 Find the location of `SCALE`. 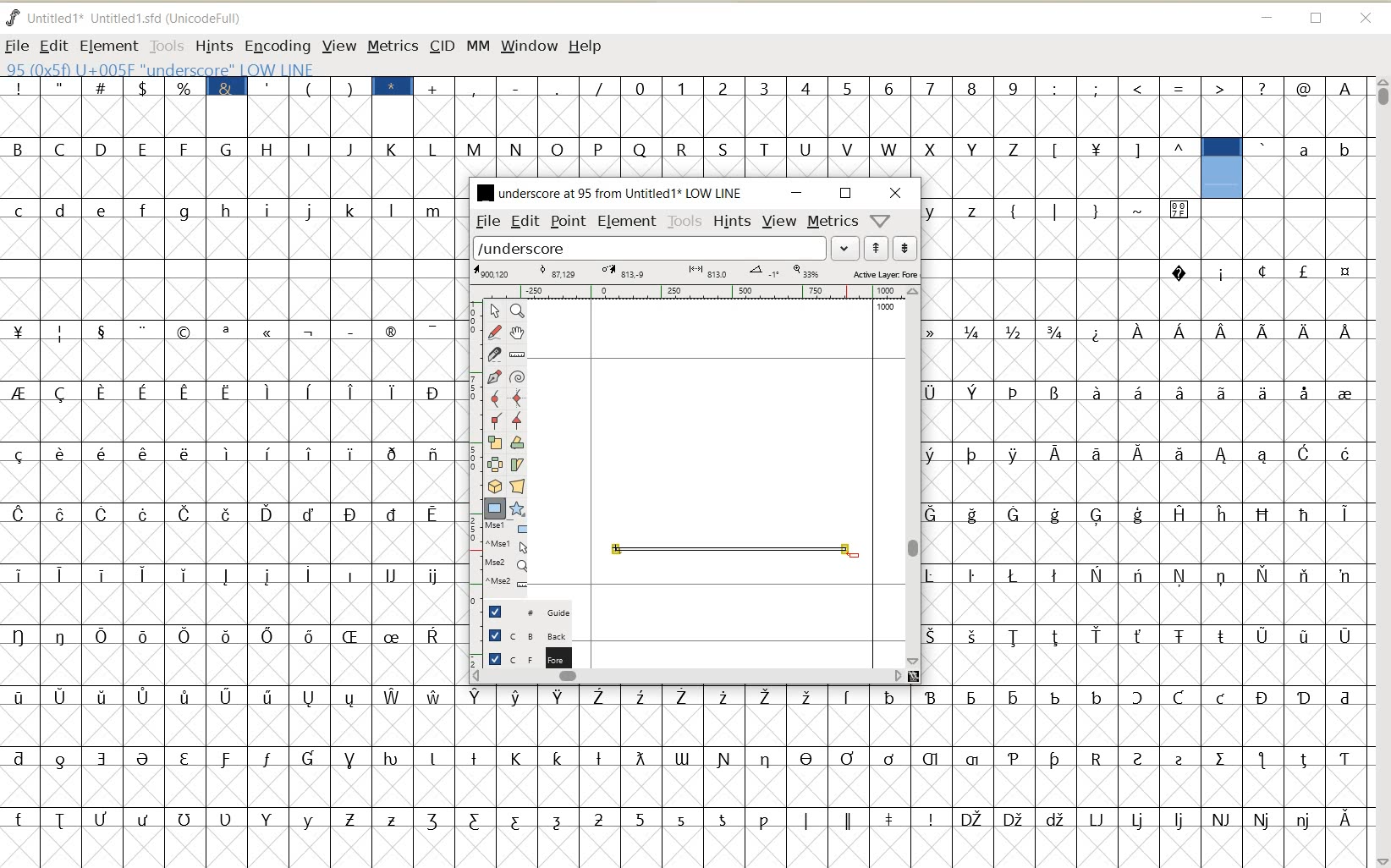

SCALE is located at coordinates (471, 447).